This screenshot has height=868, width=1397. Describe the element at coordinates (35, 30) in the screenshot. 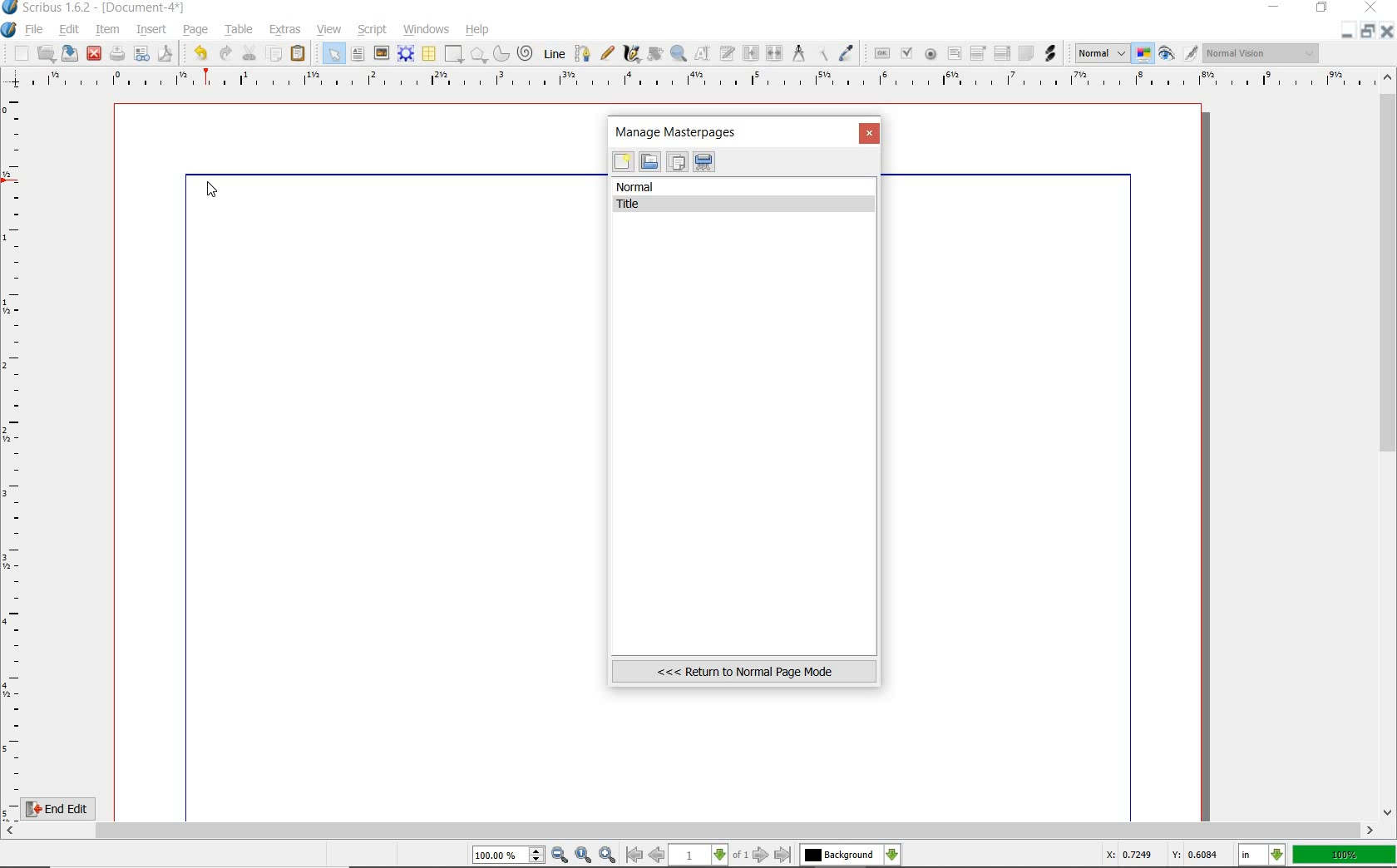

I see `file` at that location.